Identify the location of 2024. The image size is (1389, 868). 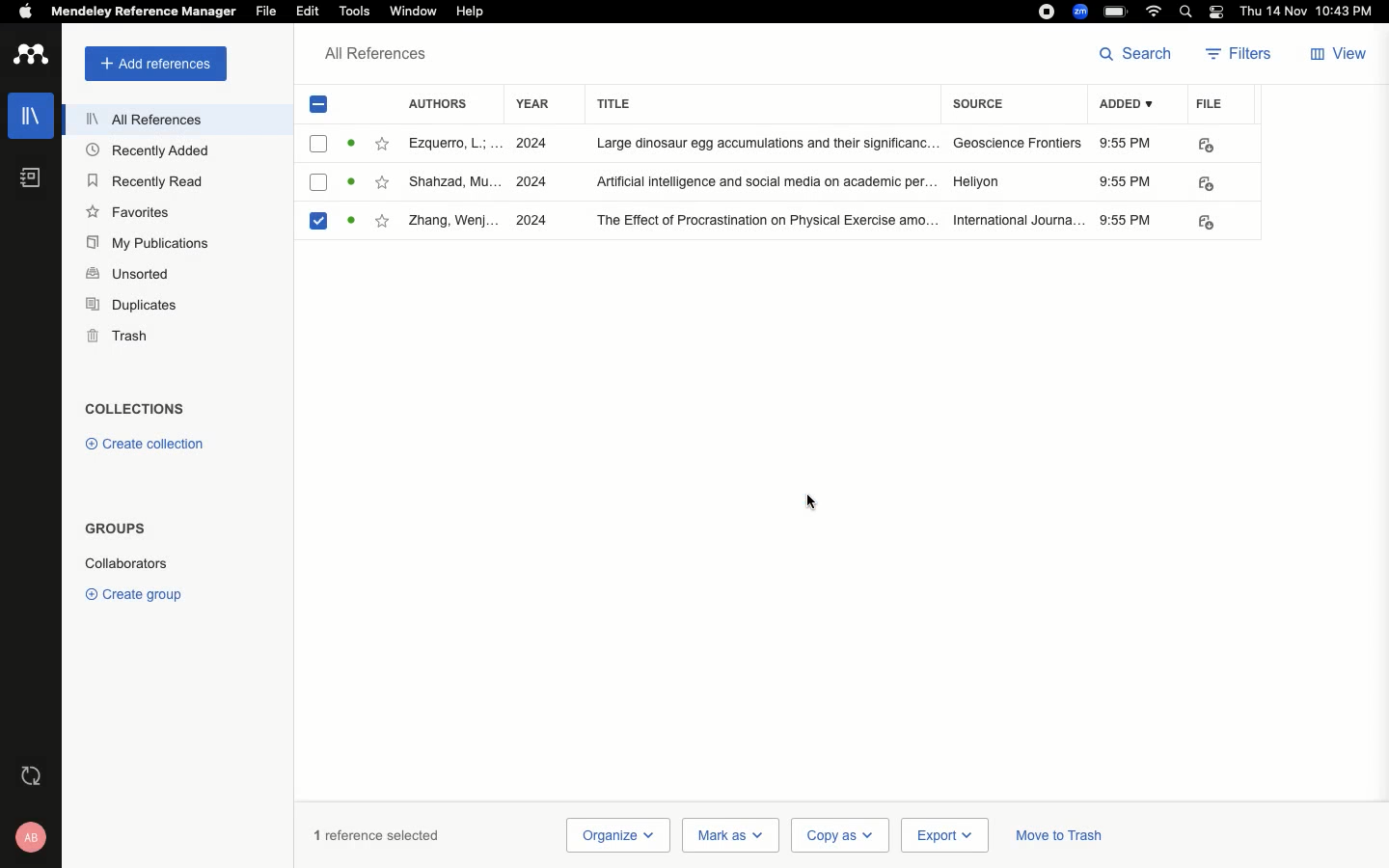
(531, 145).